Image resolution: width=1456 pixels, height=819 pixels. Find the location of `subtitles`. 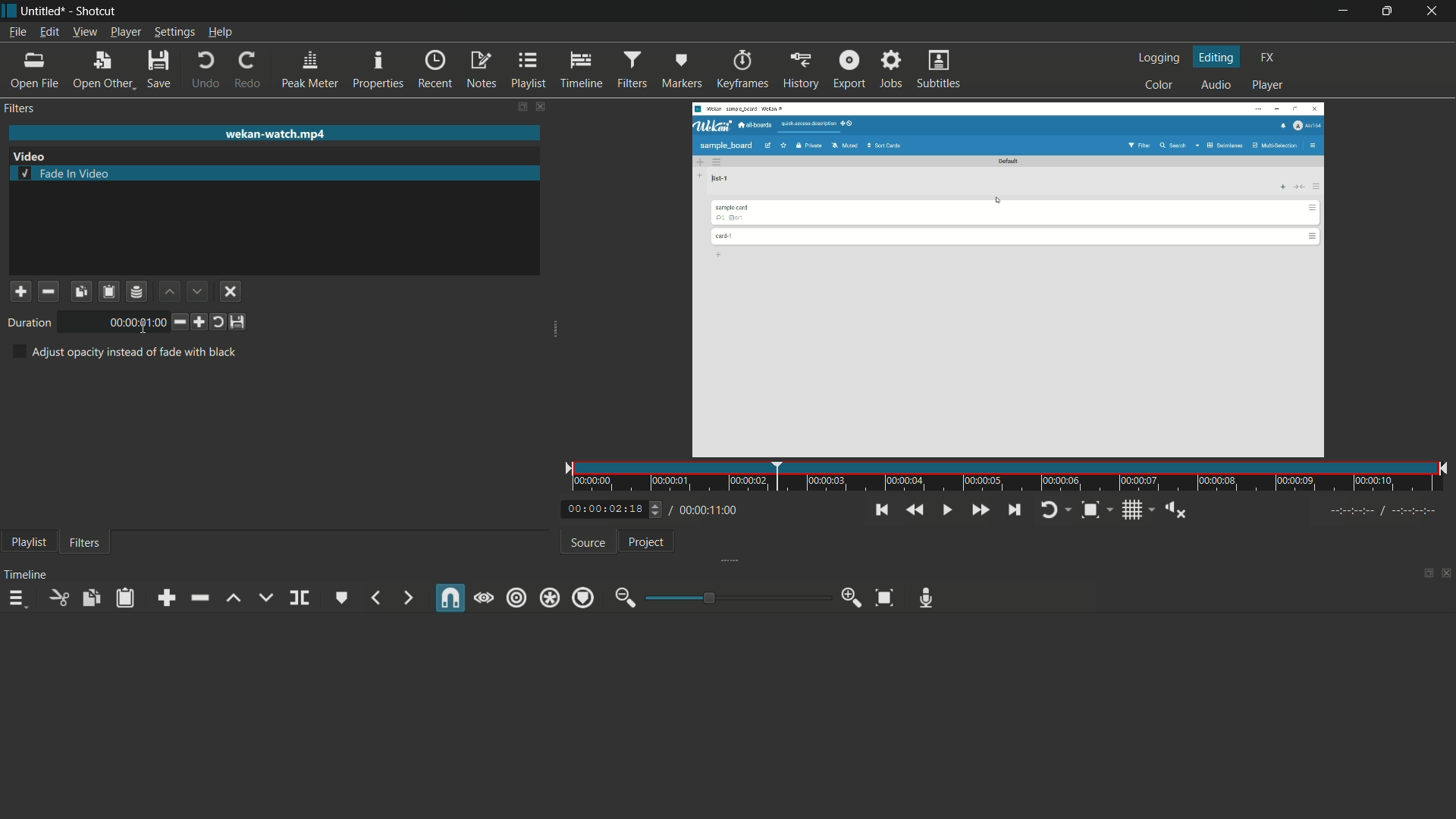

subtitles is located at coordinates (940, 70).